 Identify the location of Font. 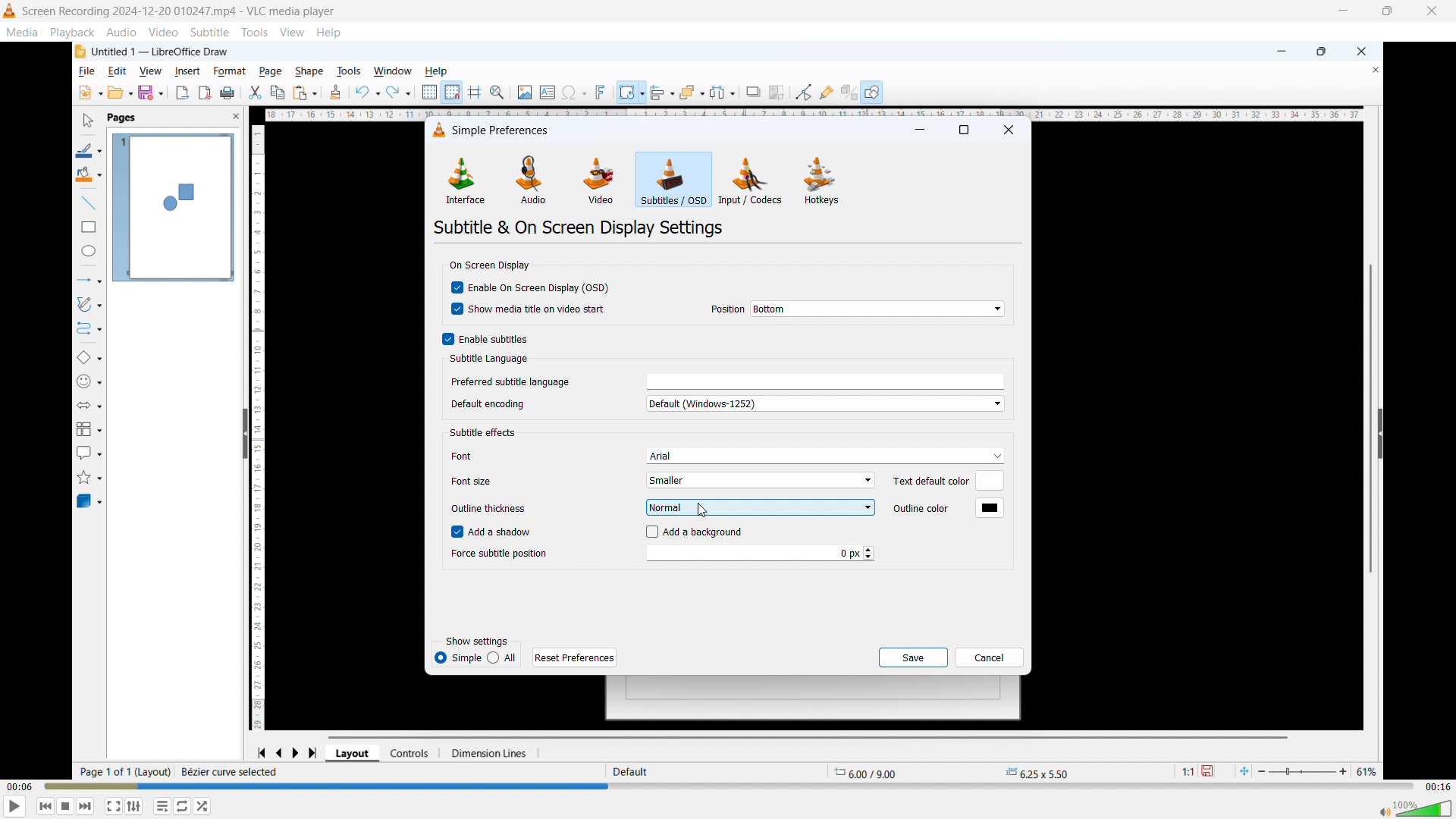
(462, 457).